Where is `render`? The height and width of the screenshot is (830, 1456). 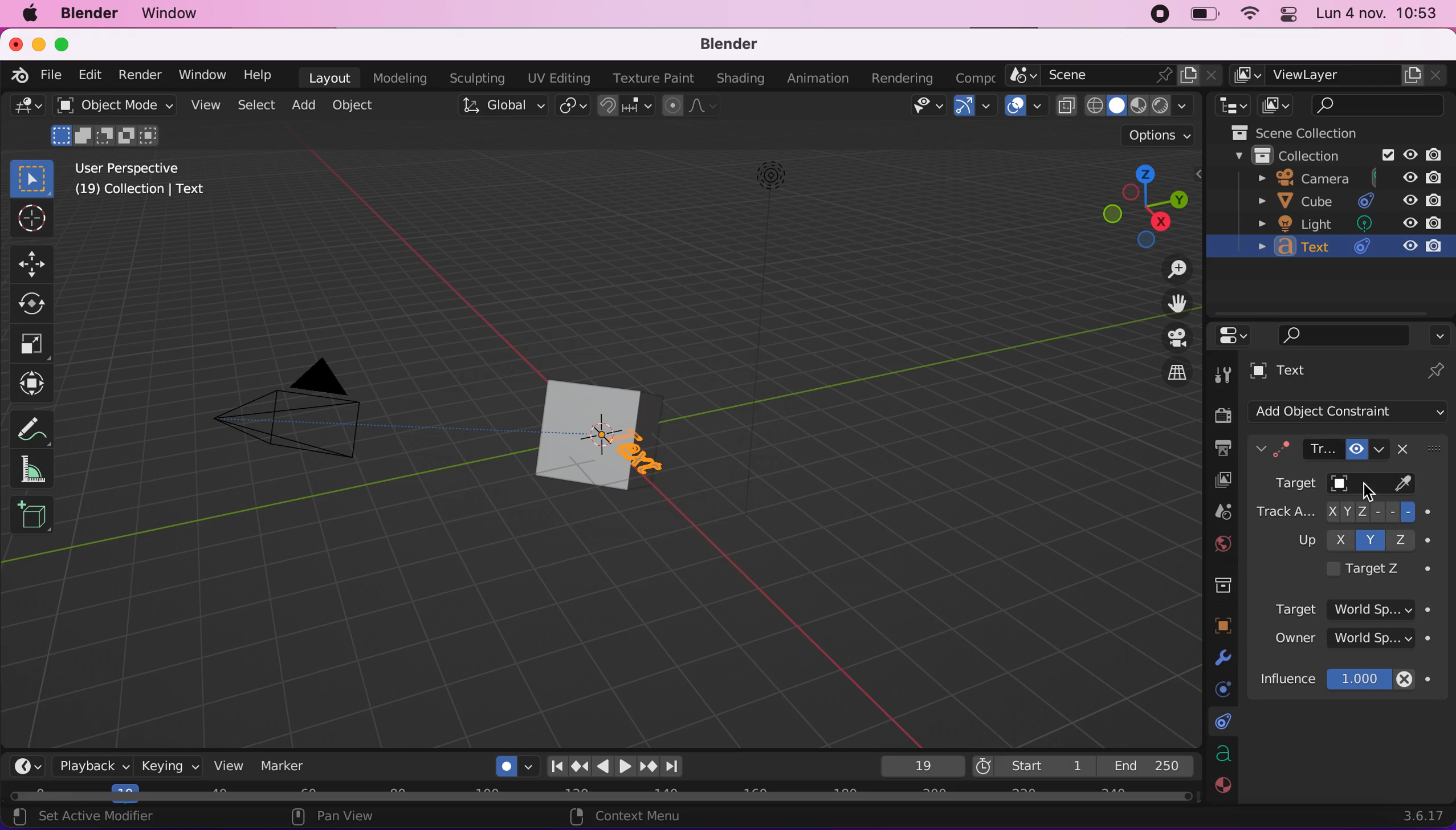
render is located at coordinates (141, 75).